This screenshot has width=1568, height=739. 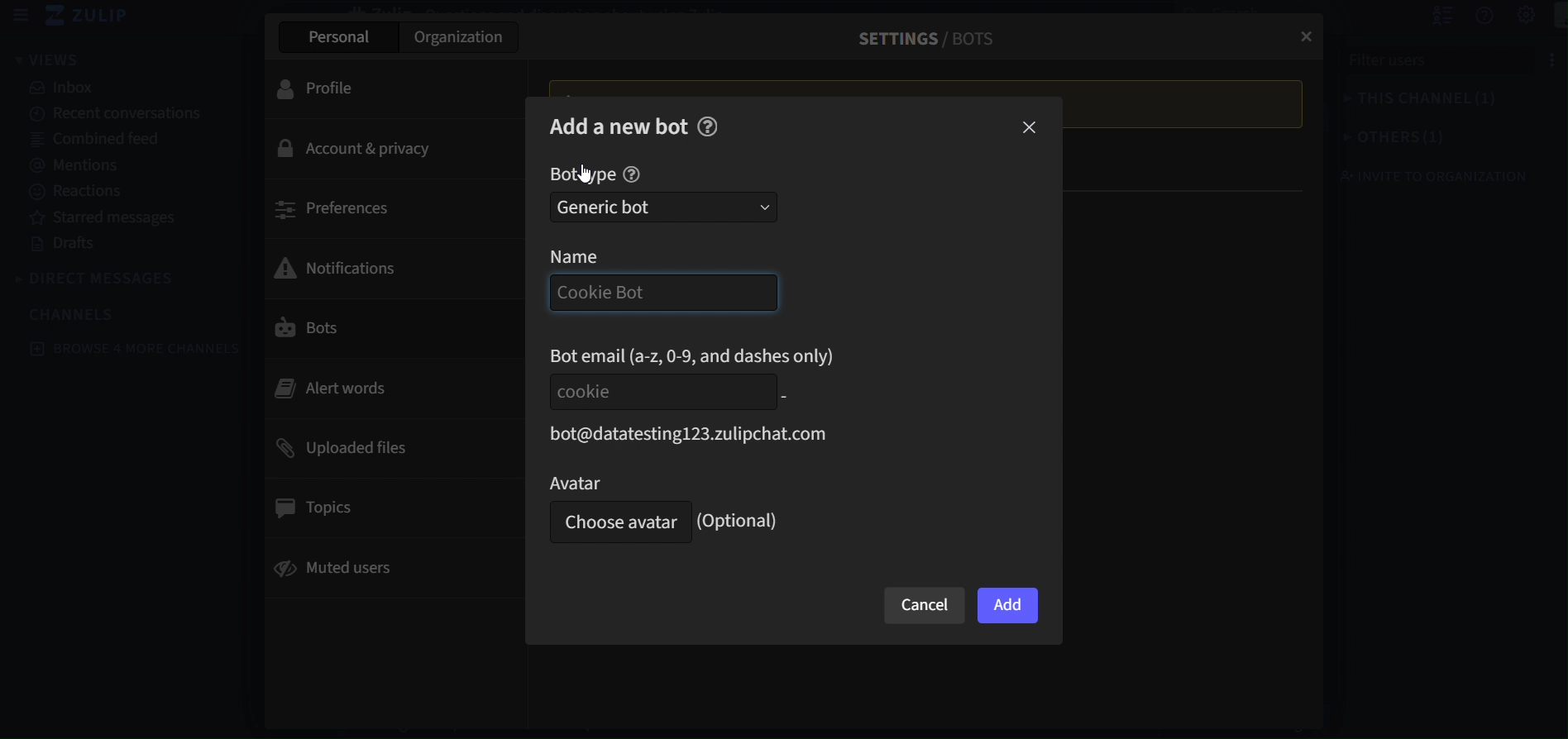 What do you see at coordinates (1302, 31) in the screenshot?
I see `close` at bounding box center [1302, 31].